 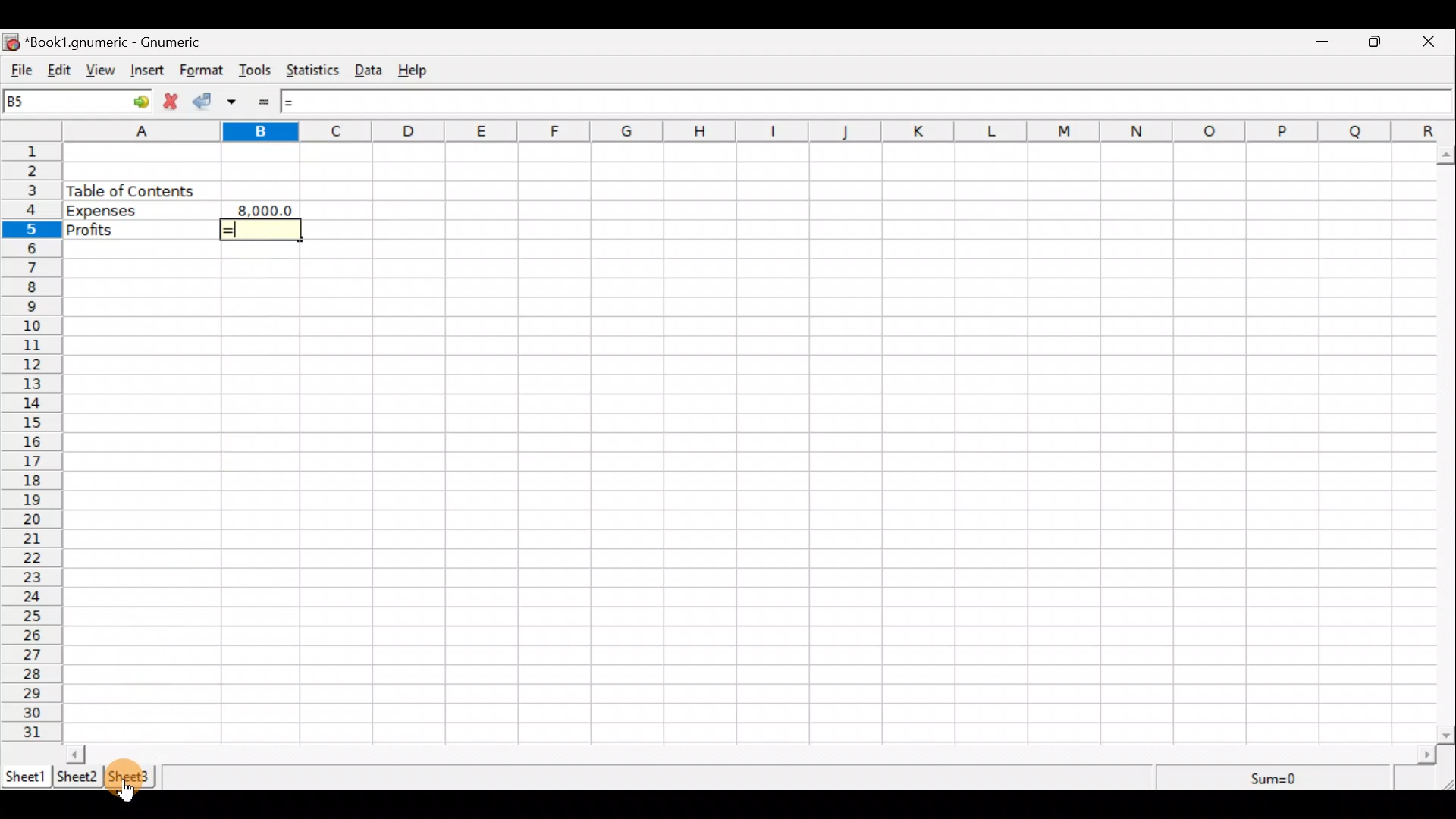 I want to click on scroll up, so click(x=1447, y=155).